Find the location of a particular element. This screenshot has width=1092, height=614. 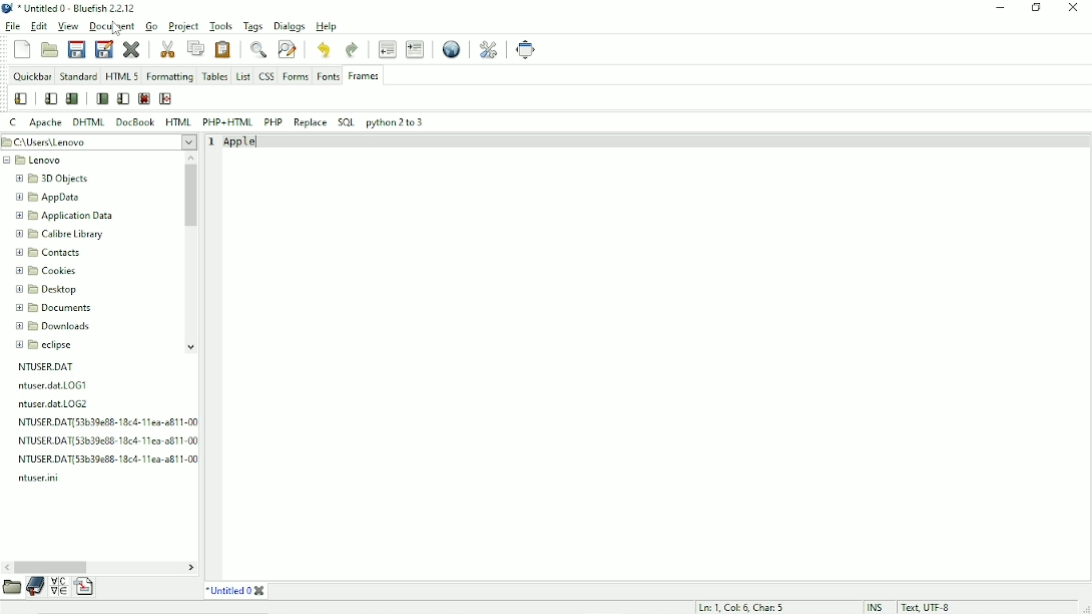

3D Objects is located at coordinates (52, 180).